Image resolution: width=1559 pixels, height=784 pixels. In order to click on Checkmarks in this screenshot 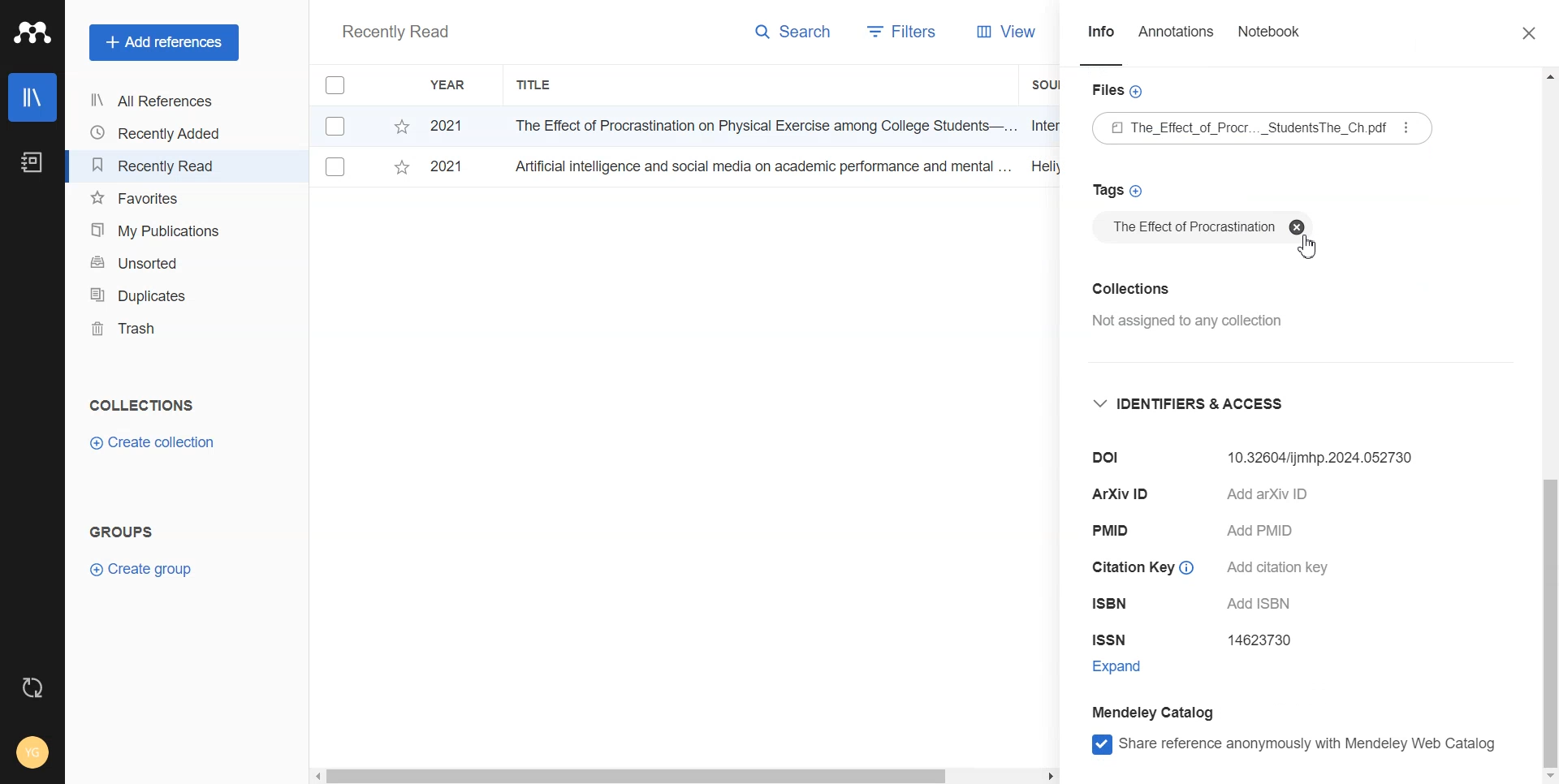, I will do `click(336, 167)`.